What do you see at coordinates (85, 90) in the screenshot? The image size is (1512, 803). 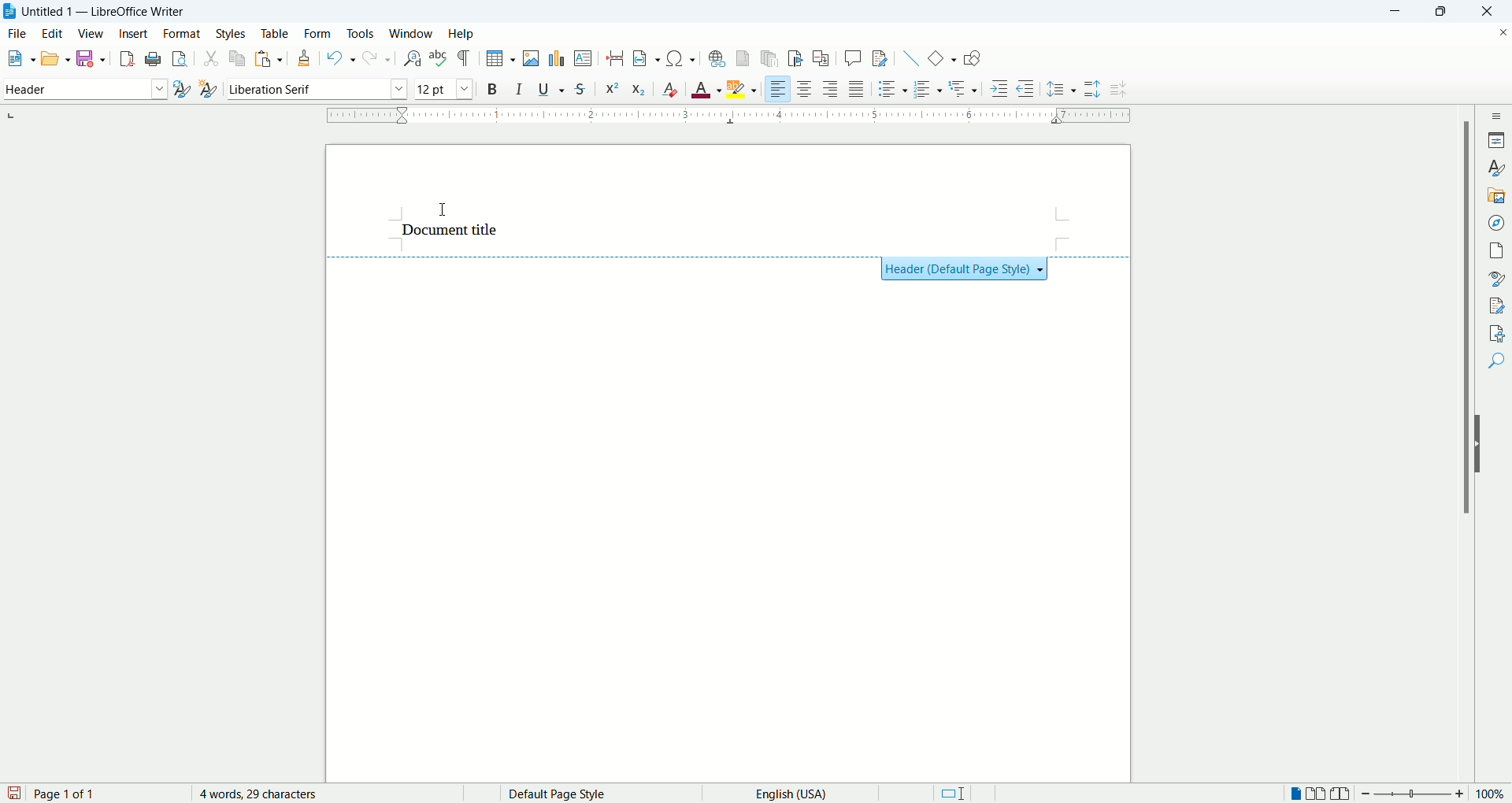 I see `paragraph style` at bounding box center [85, 90].